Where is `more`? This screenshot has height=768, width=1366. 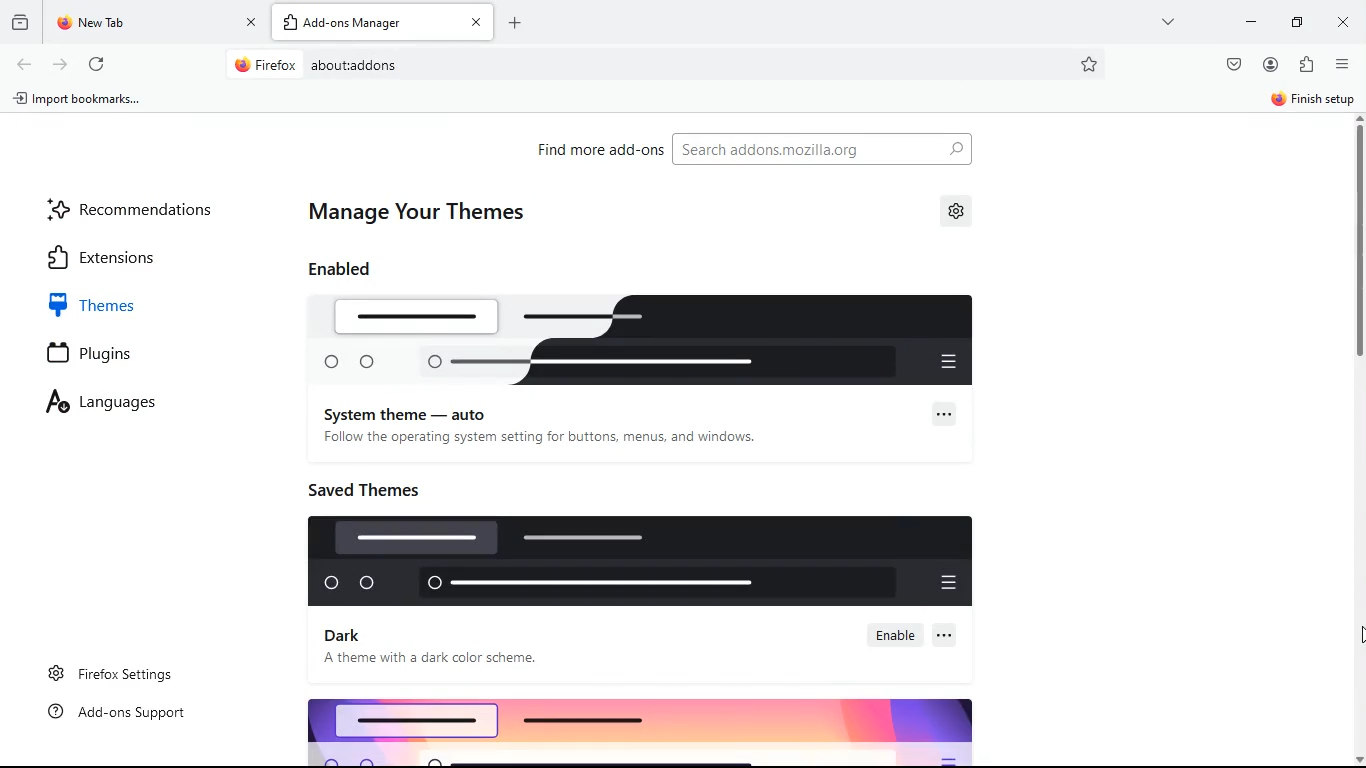 more is located at coordinates (942, 413).